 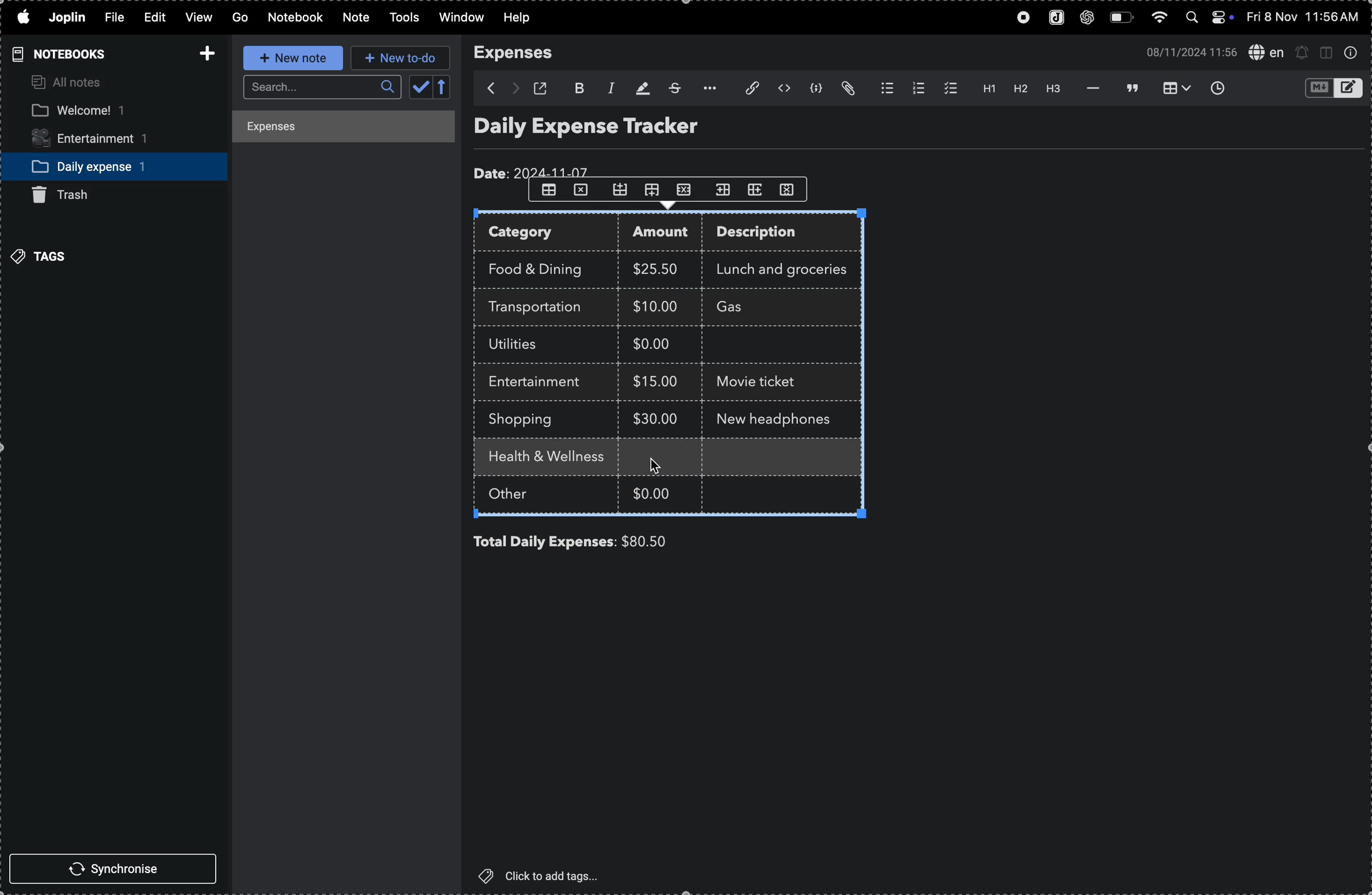 What do you see at coordinates (850, 89) in the screenshot?
I see `attach file` at bounding box center [850, 89].